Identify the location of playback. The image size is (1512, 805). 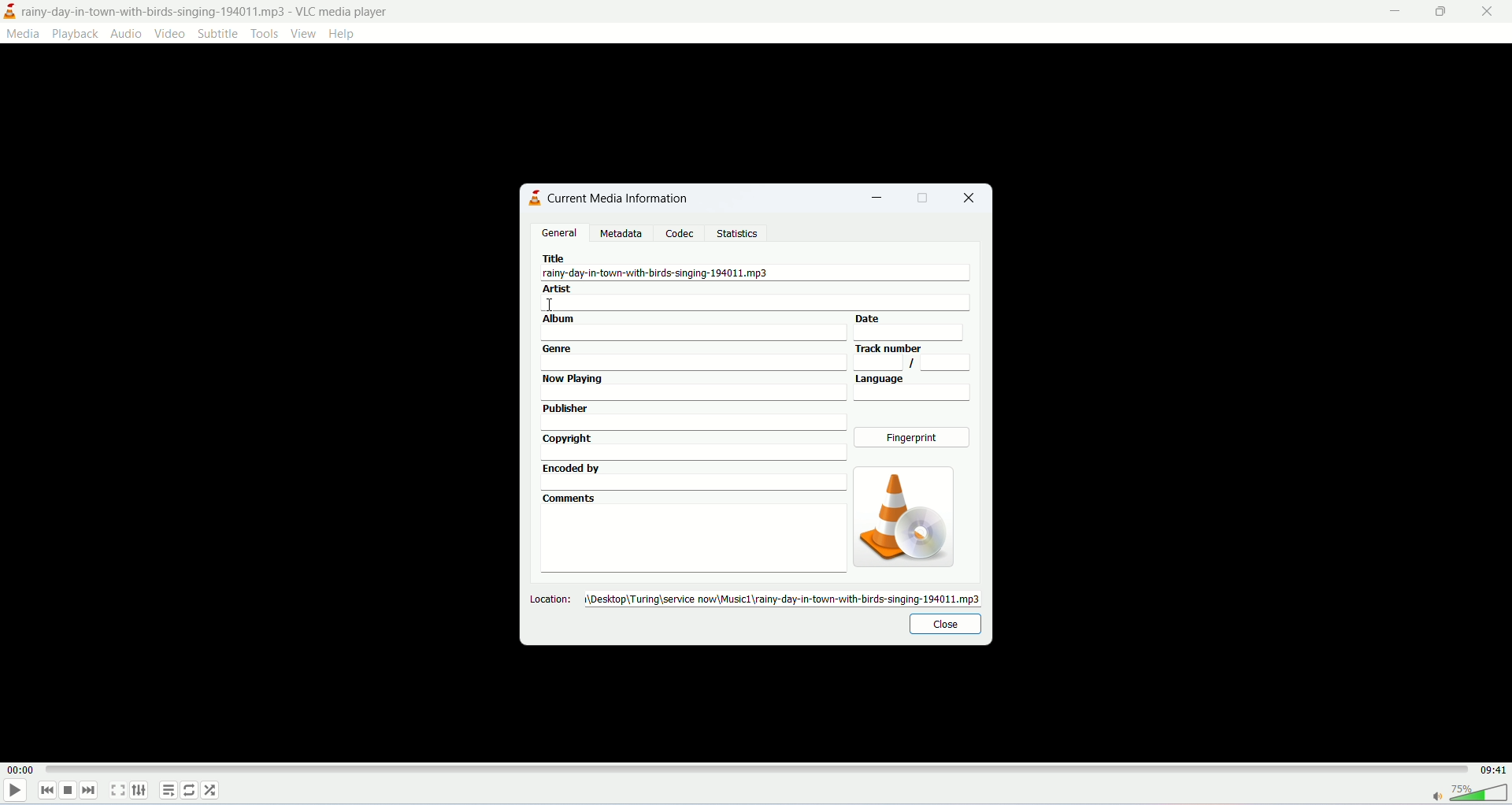
(76, 34).